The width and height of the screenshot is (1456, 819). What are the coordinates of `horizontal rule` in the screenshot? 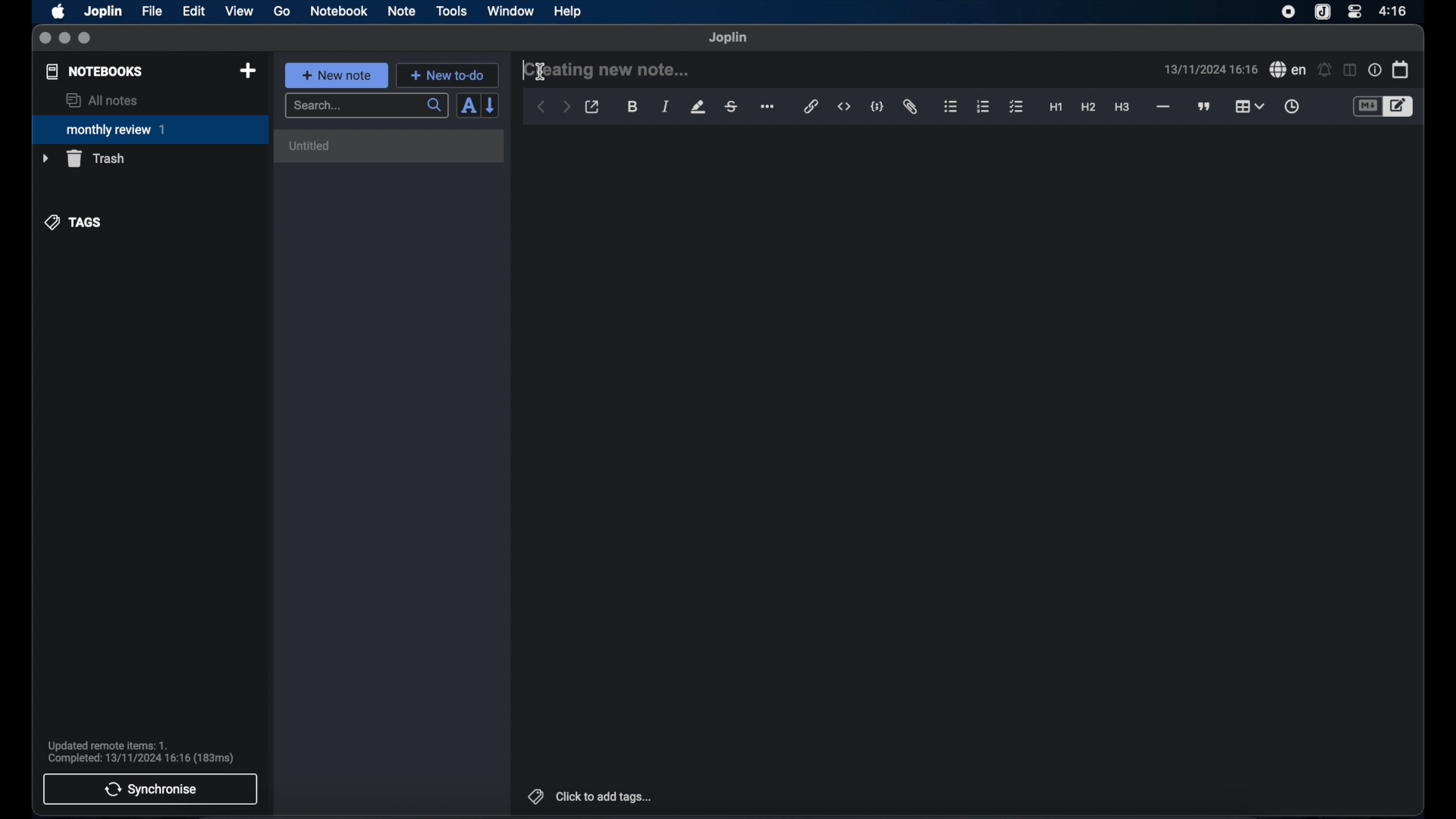 It's located at (1162, 107).